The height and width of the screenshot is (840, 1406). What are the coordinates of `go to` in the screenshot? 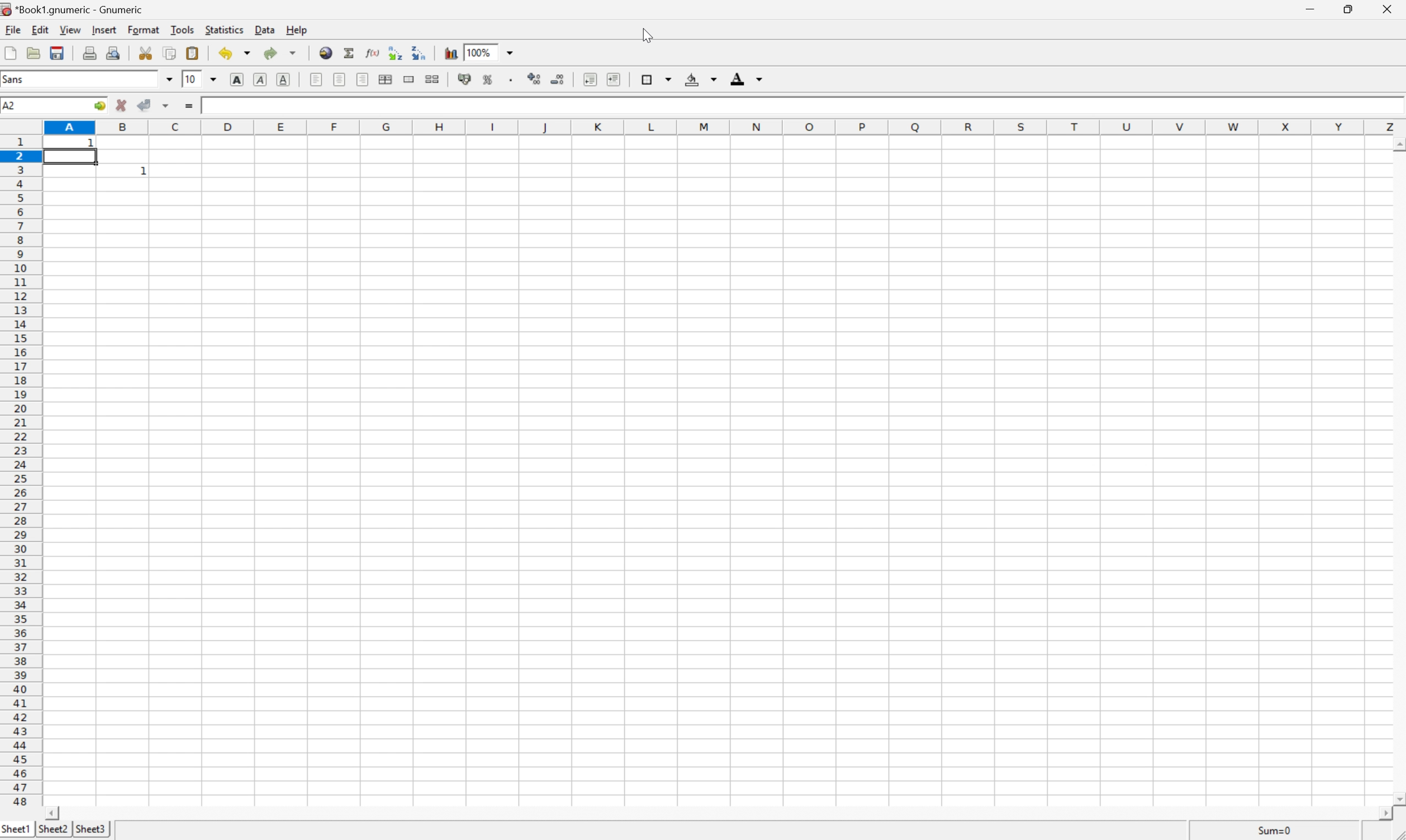 It's located at (100, 106).